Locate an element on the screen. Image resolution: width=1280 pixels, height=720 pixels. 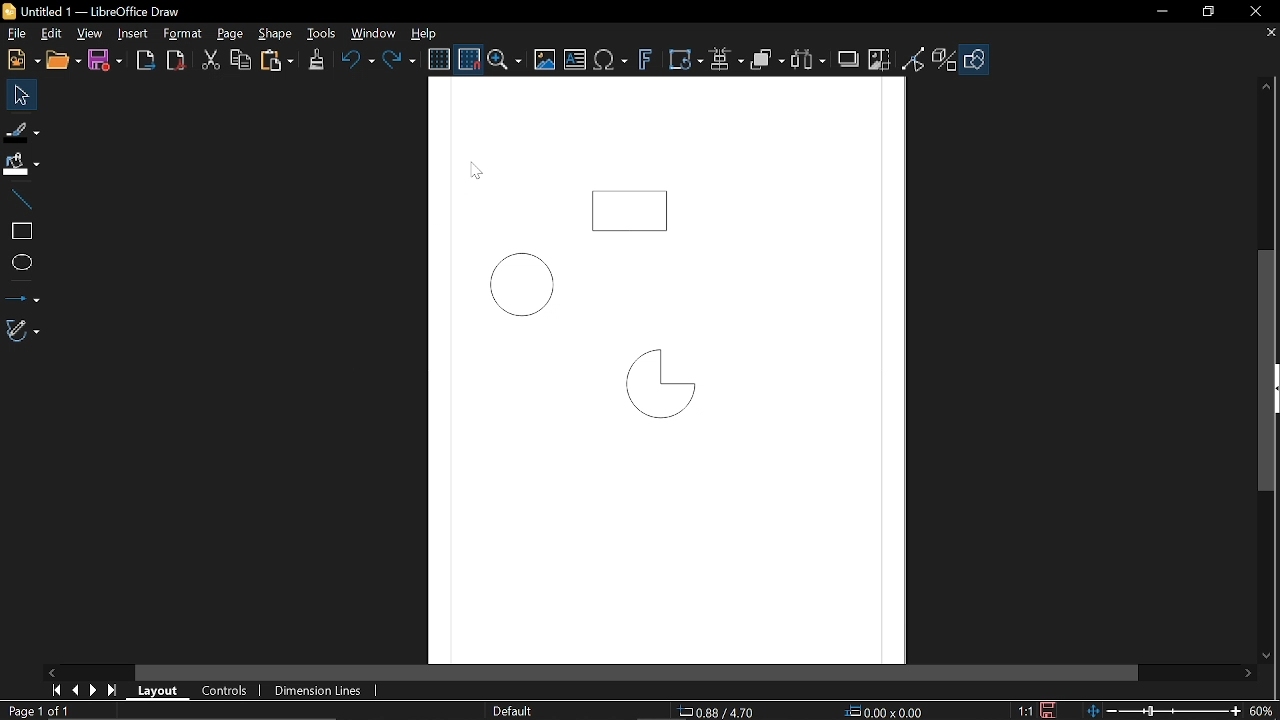
Undo is located at coordinates (356, 62).